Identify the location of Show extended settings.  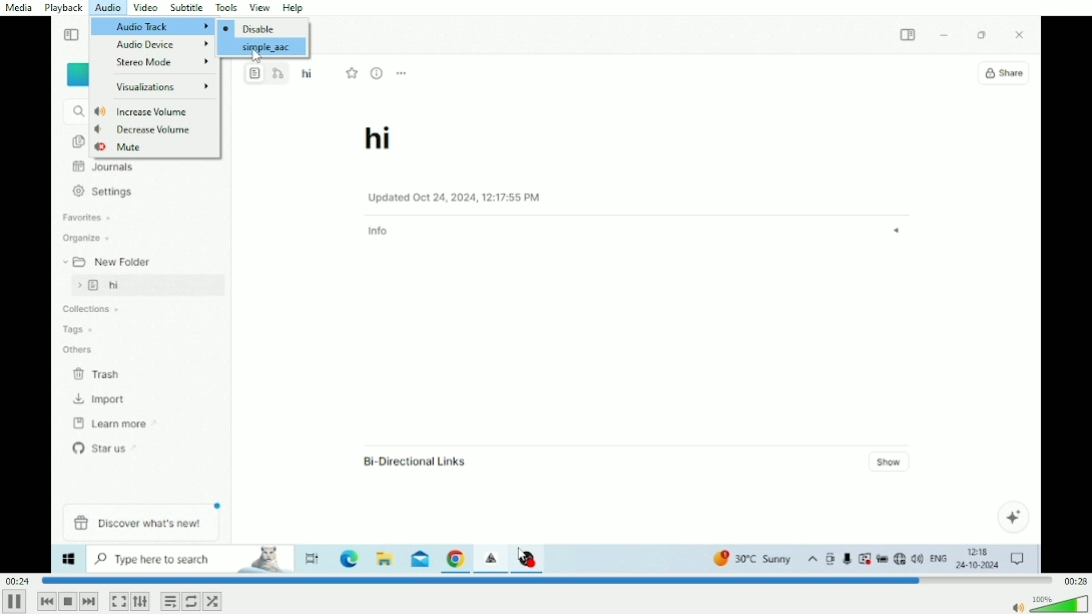
(140, 602).